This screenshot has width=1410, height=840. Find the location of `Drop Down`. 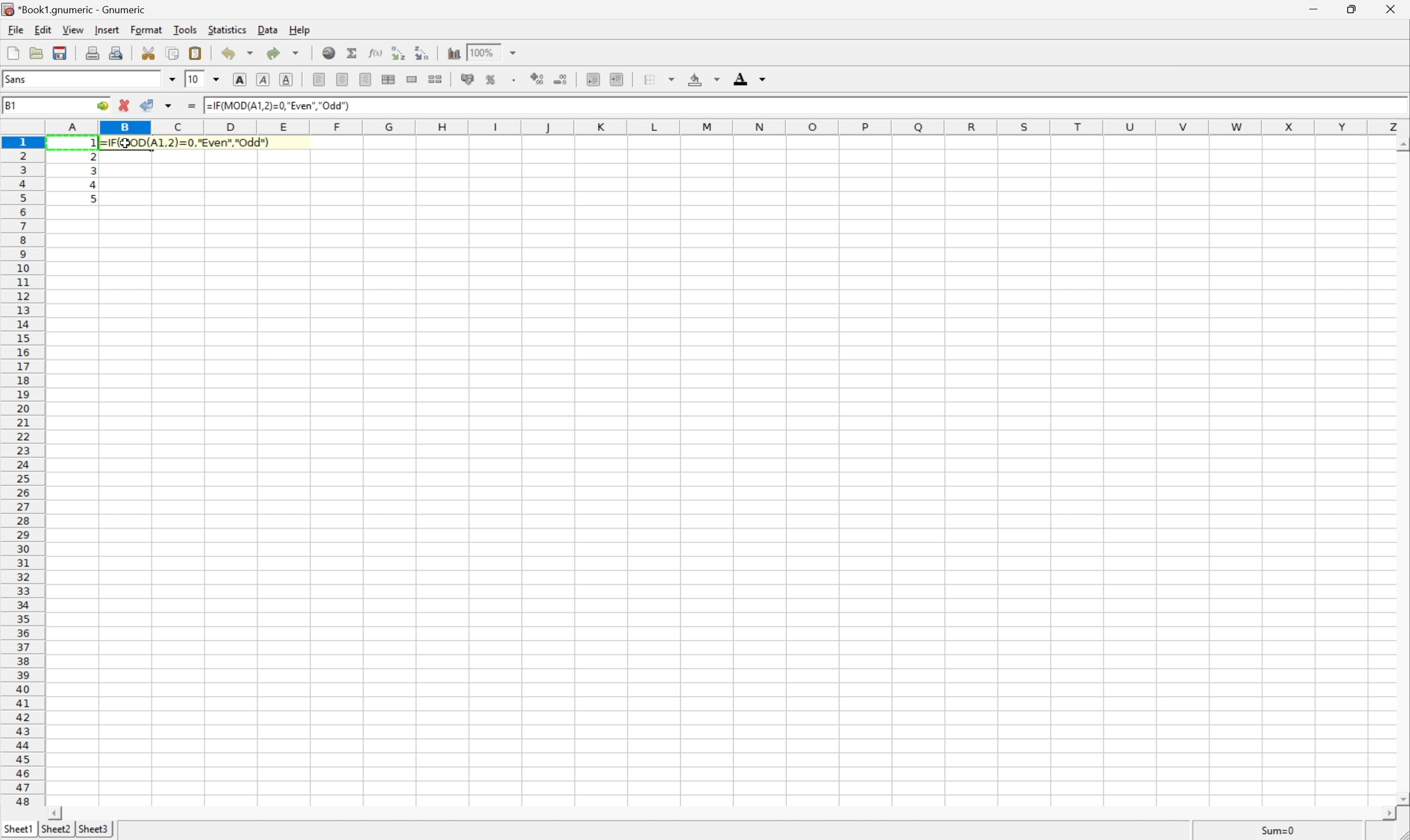

Drop Down is located at coordinates (174, 78).